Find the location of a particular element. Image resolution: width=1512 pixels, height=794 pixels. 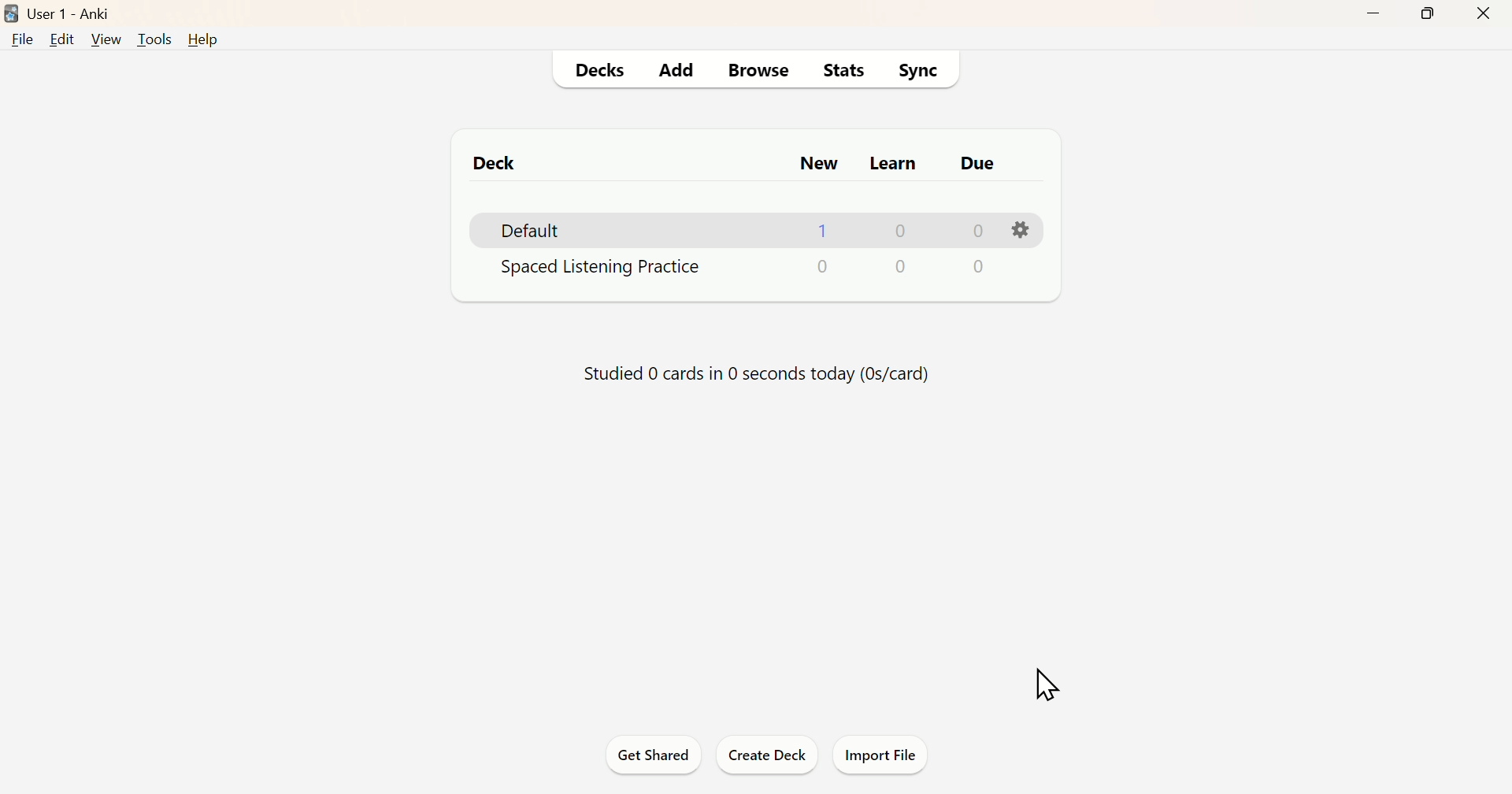

cursor is located at coordinates (1047, 683).